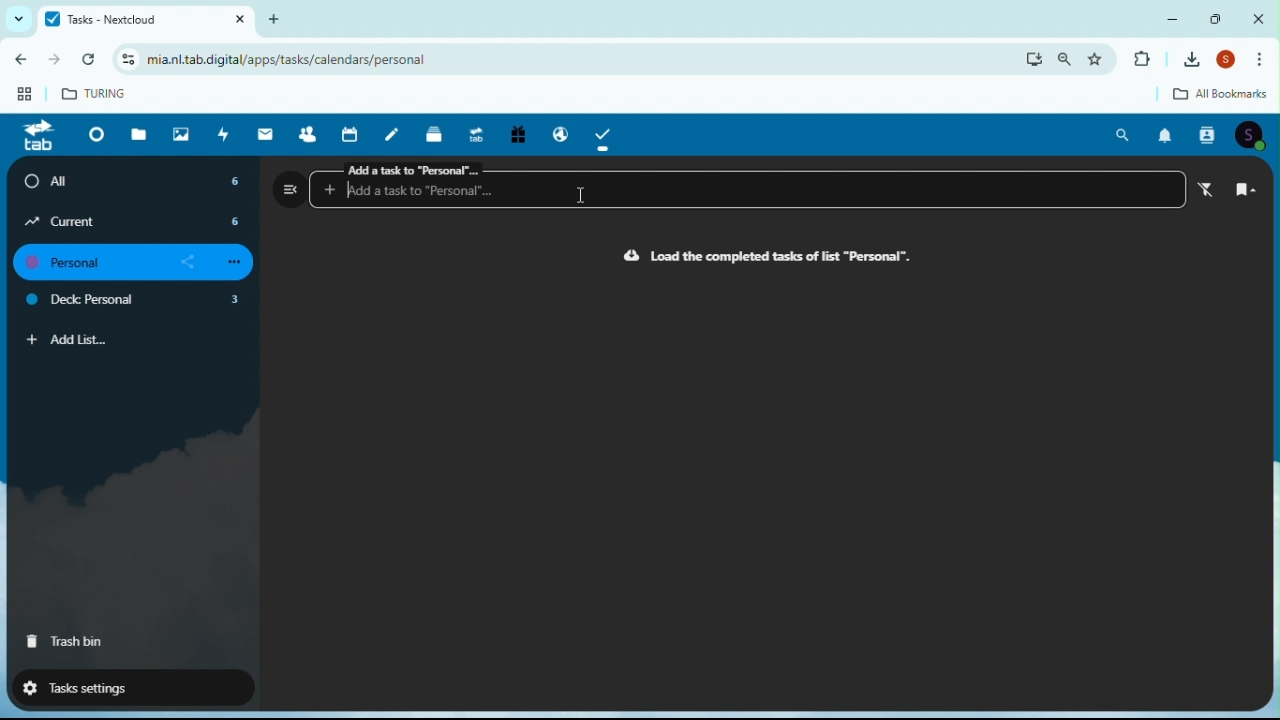 The image size is (1280, 720). What do you see at coordinates (93, 60) in the screenshot?
I see `reload` at bounding box center [93, 60].